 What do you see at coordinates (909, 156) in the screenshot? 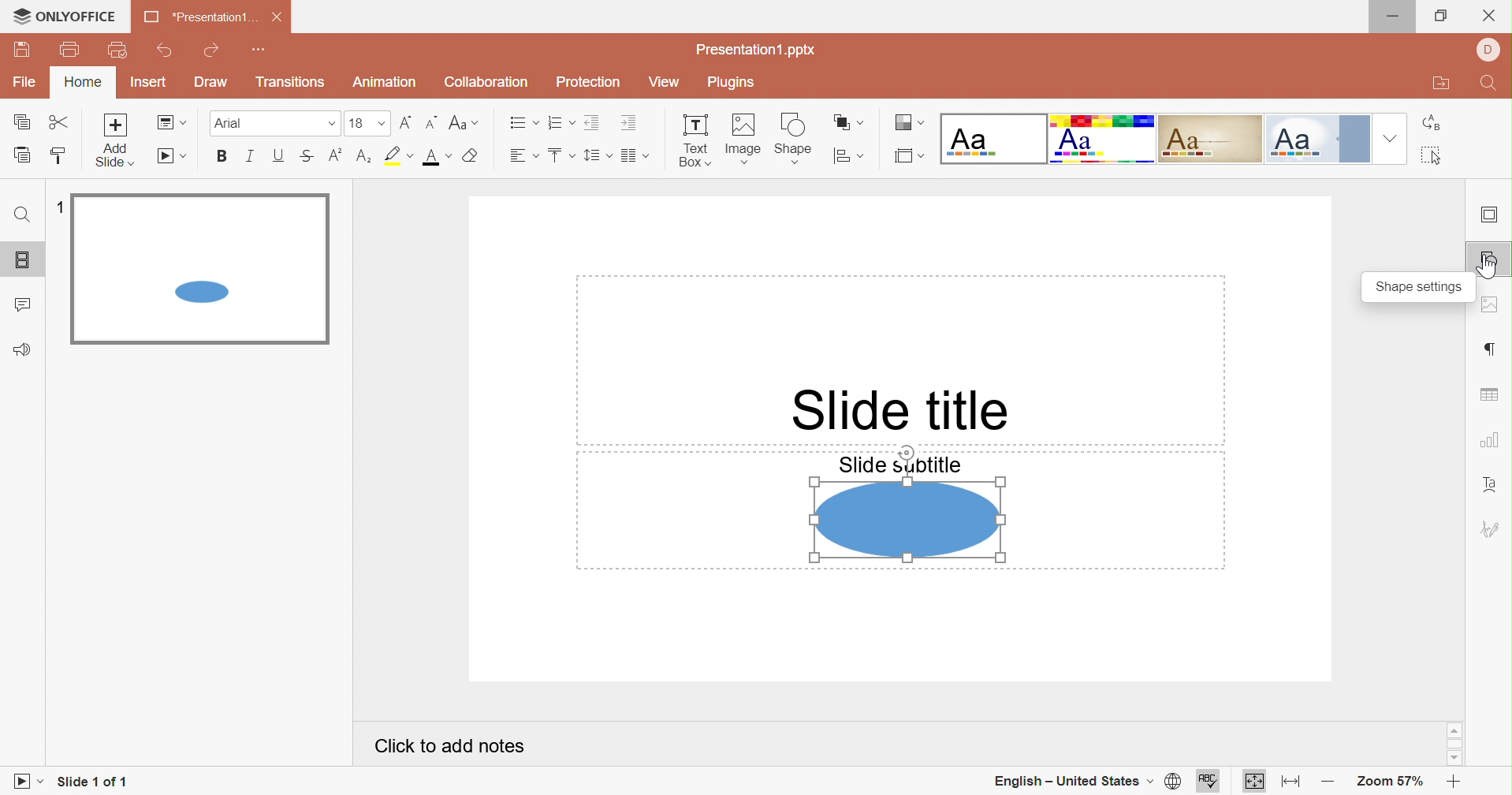
I see `Select slide size` at bounding box center [909, 156].